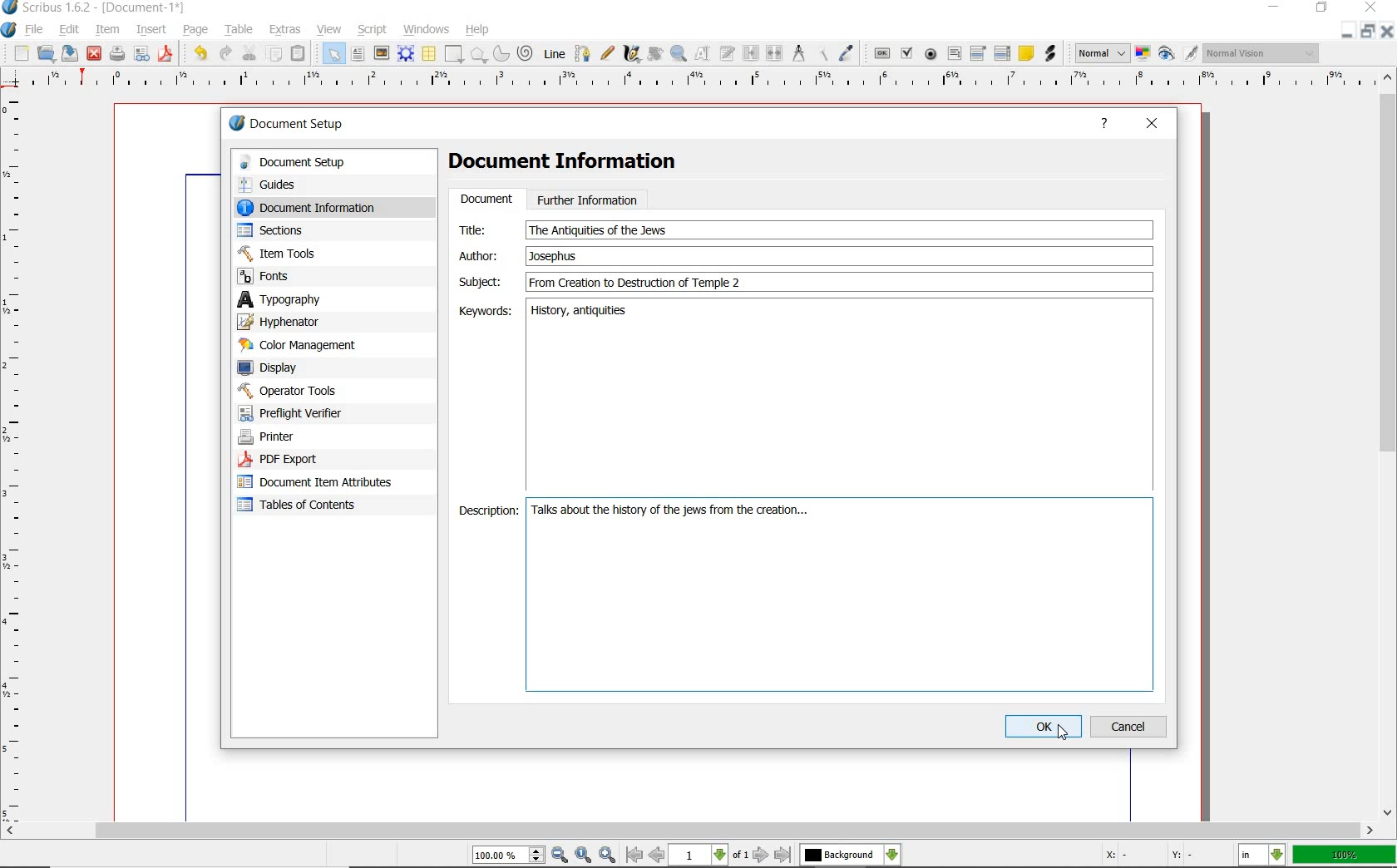 Image resolution: width=1397 pixels, height=868 pixels. What do you see at coordinates (1262, 52) in the screenshot?
I see `visual appearance of the display` at bounding box center [1262, 52].